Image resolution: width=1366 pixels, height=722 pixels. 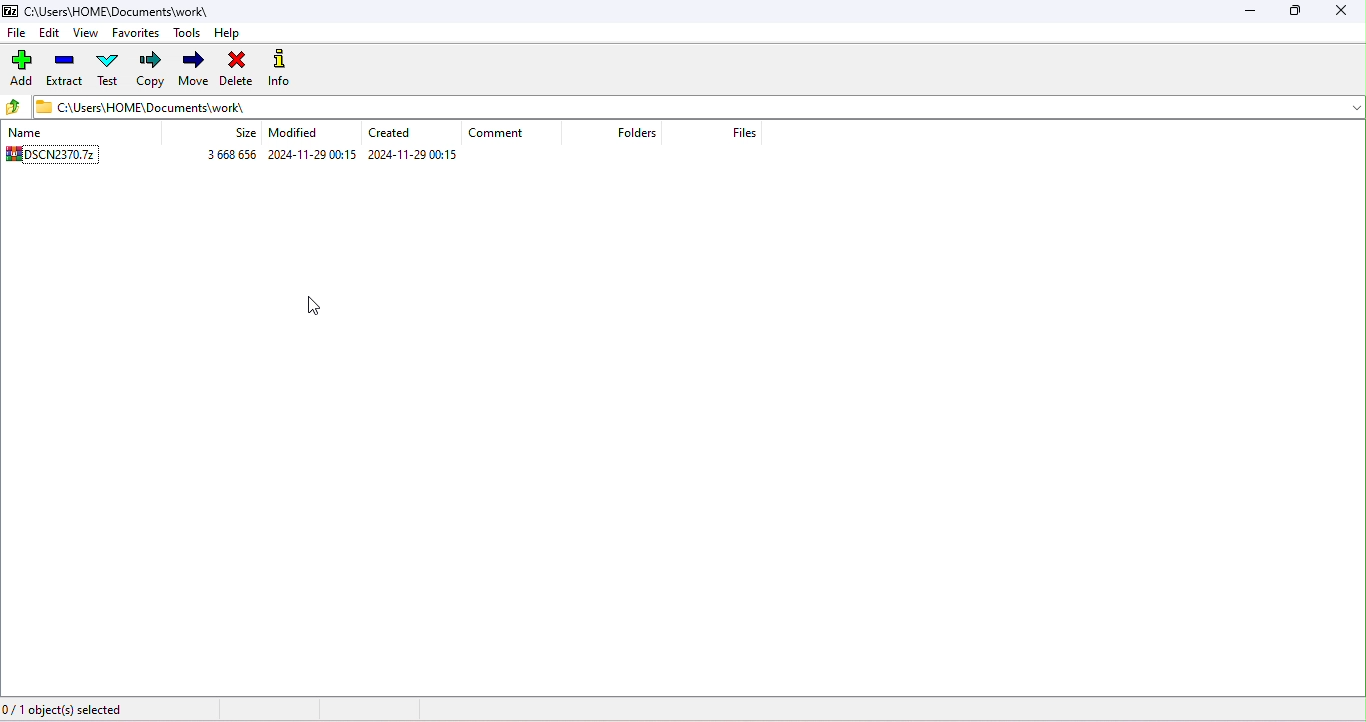 I want to click on modification date, so click(x=300, y=135).